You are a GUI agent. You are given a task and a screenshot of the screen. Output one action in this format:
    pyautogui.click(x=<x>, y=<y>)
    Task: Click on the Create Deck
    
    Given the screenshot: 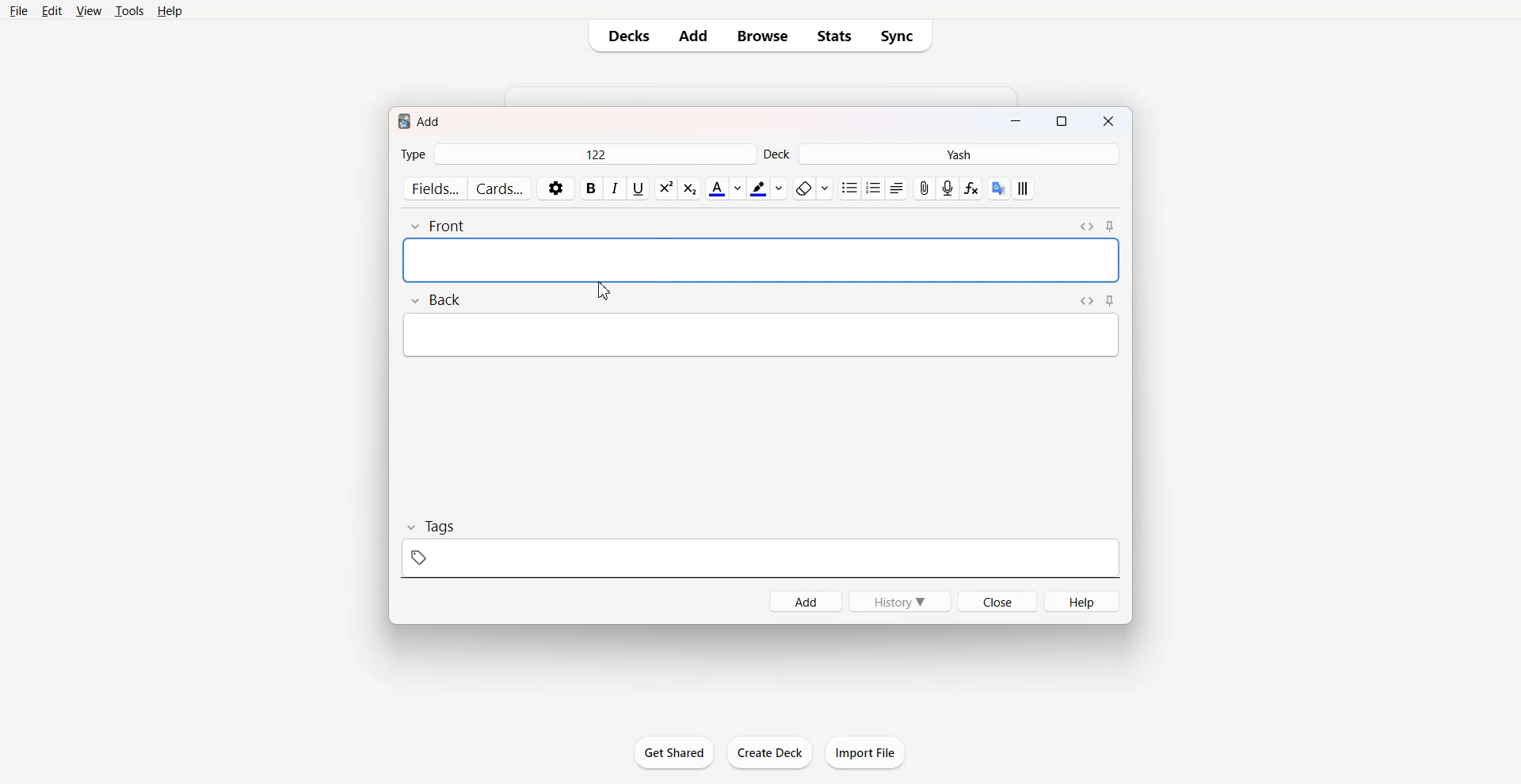 What is the action you would take?
    pyautogui.click(x=769, y=752)
    